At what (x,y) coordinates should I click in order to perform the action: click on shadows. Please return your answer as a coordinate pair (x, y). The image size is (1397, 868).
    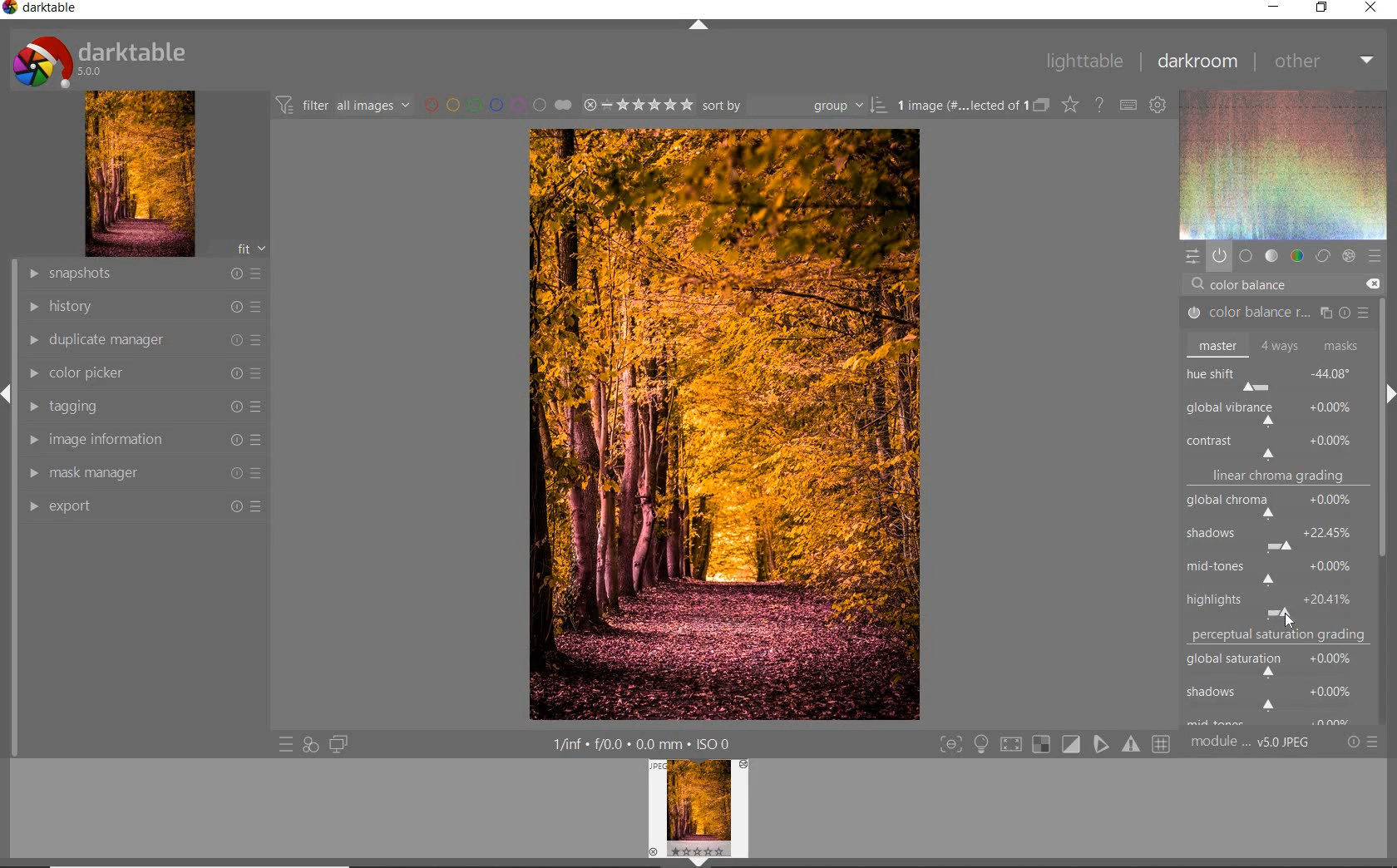
    Looking at the image, I should click on (1278, 535).